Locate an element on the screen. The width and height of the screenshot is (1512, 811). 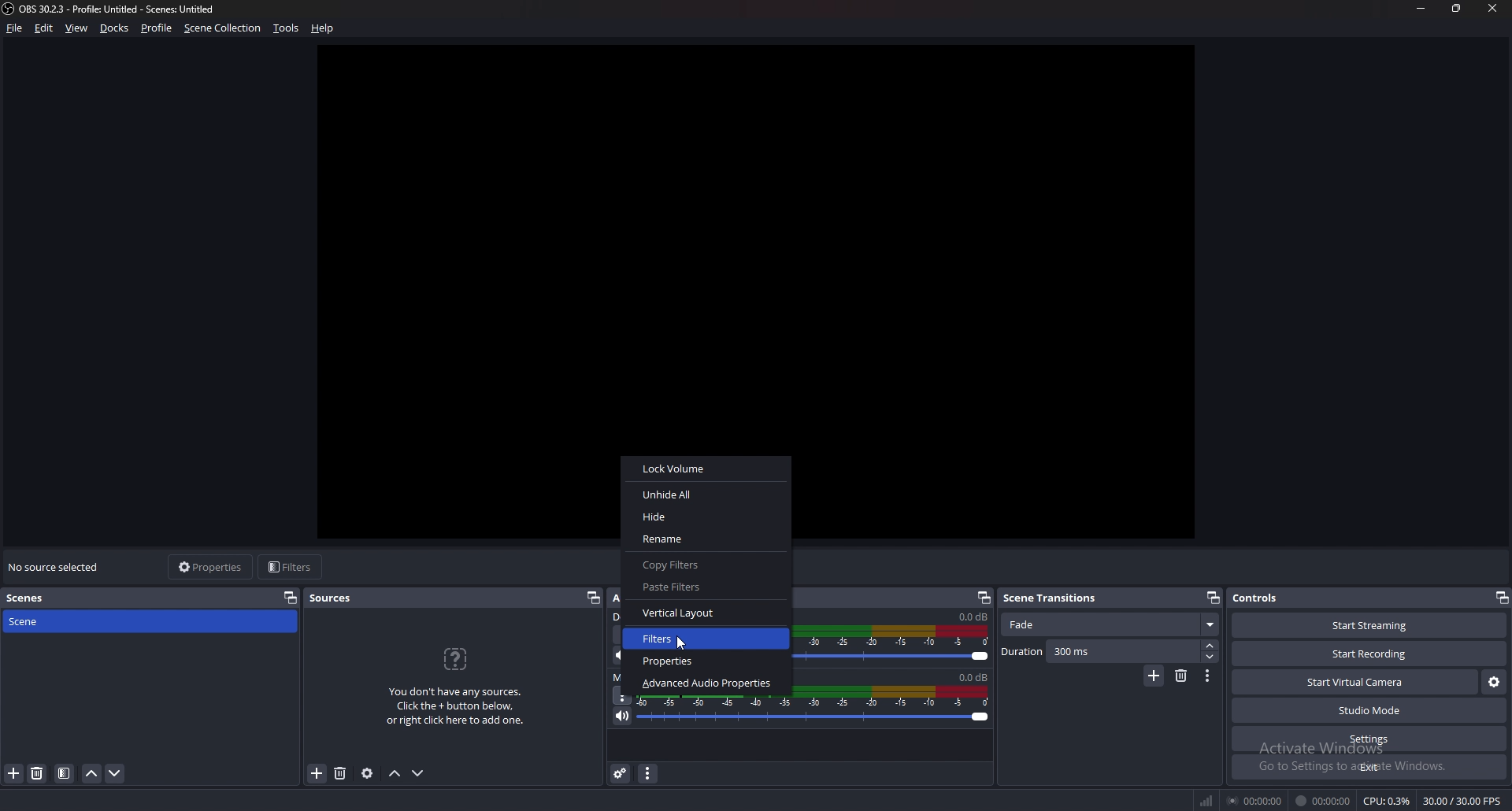
studio mode is located at coordinates (1370, 710).